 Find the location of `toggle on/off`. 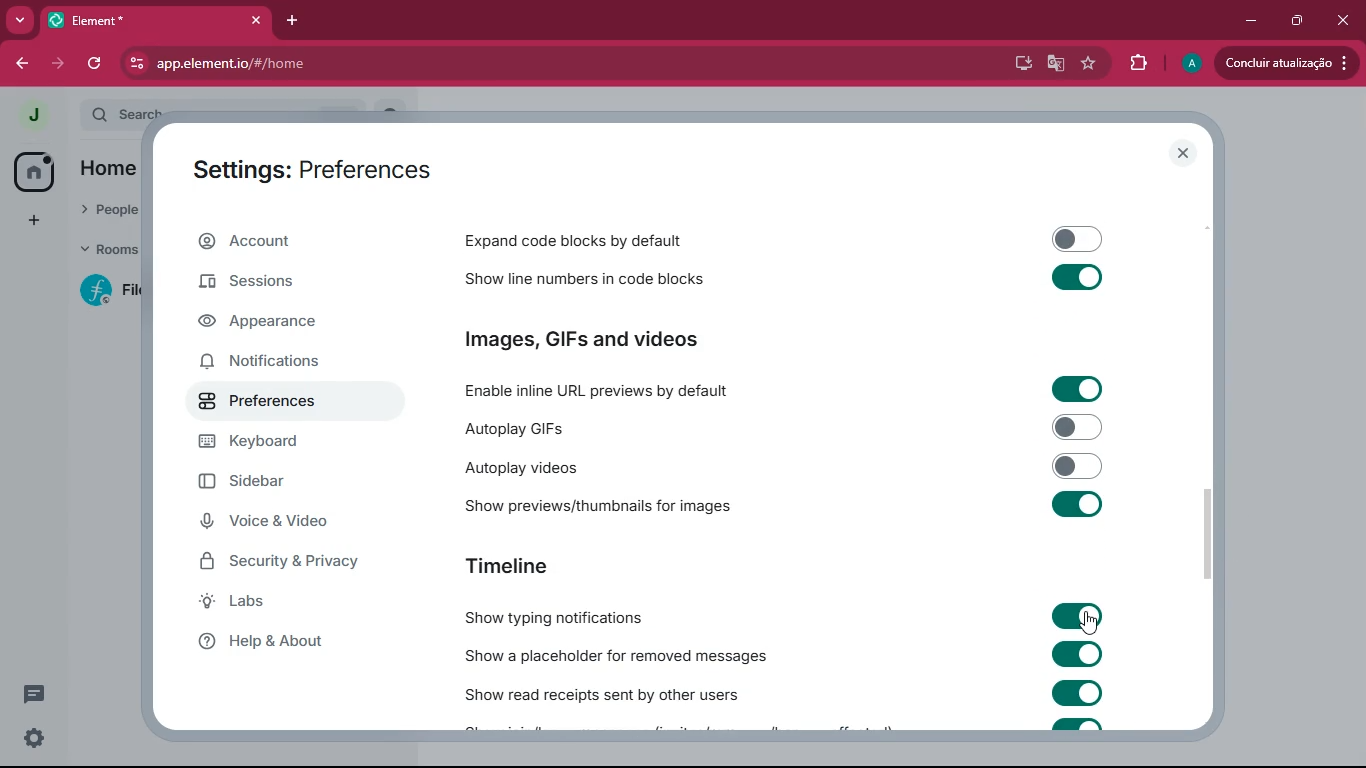

toggle on/off is located at coordinates (1079, 239).